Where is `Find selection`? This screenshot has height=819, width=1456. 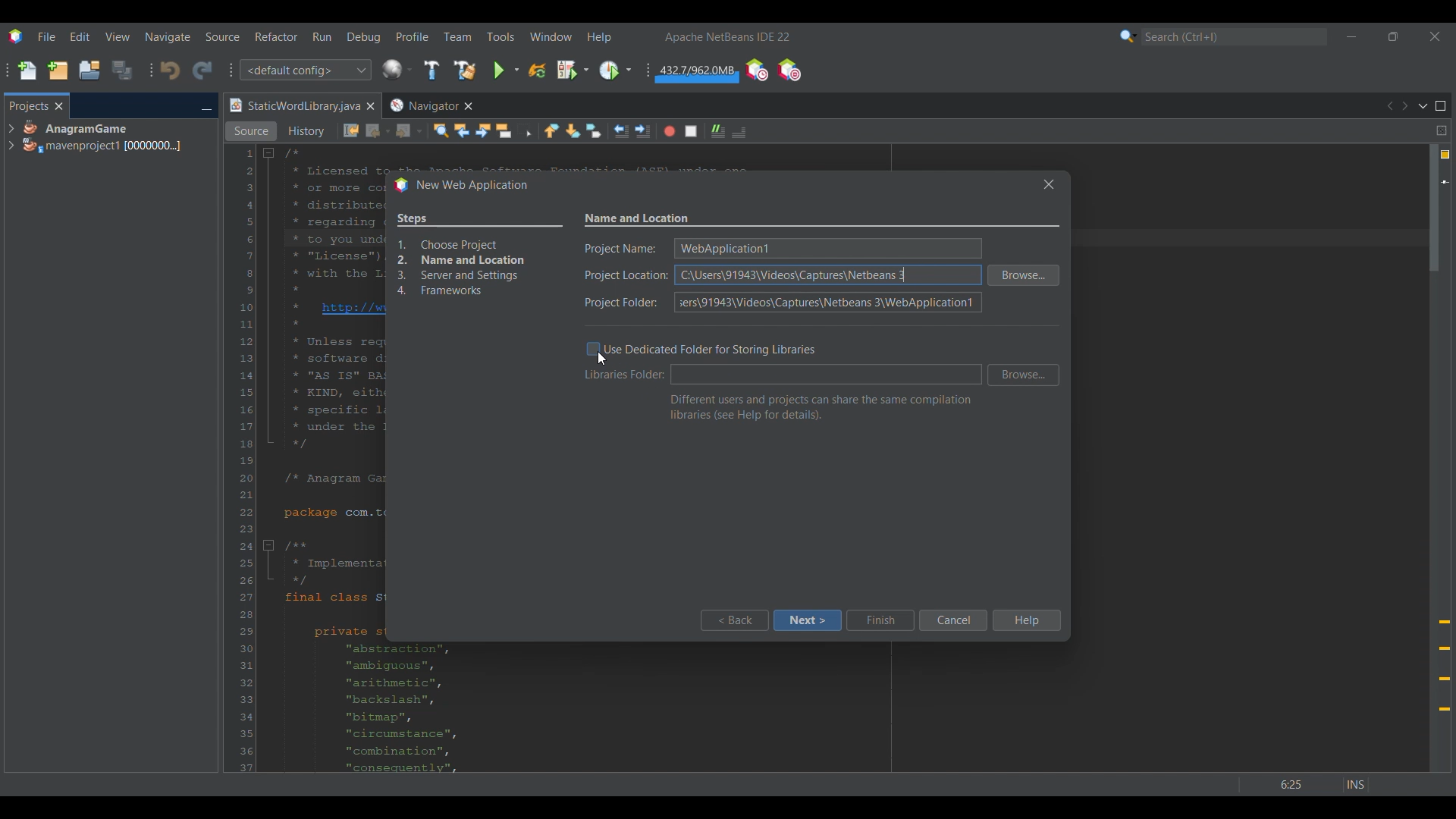
Find selection is located at coordinates (441, 130).